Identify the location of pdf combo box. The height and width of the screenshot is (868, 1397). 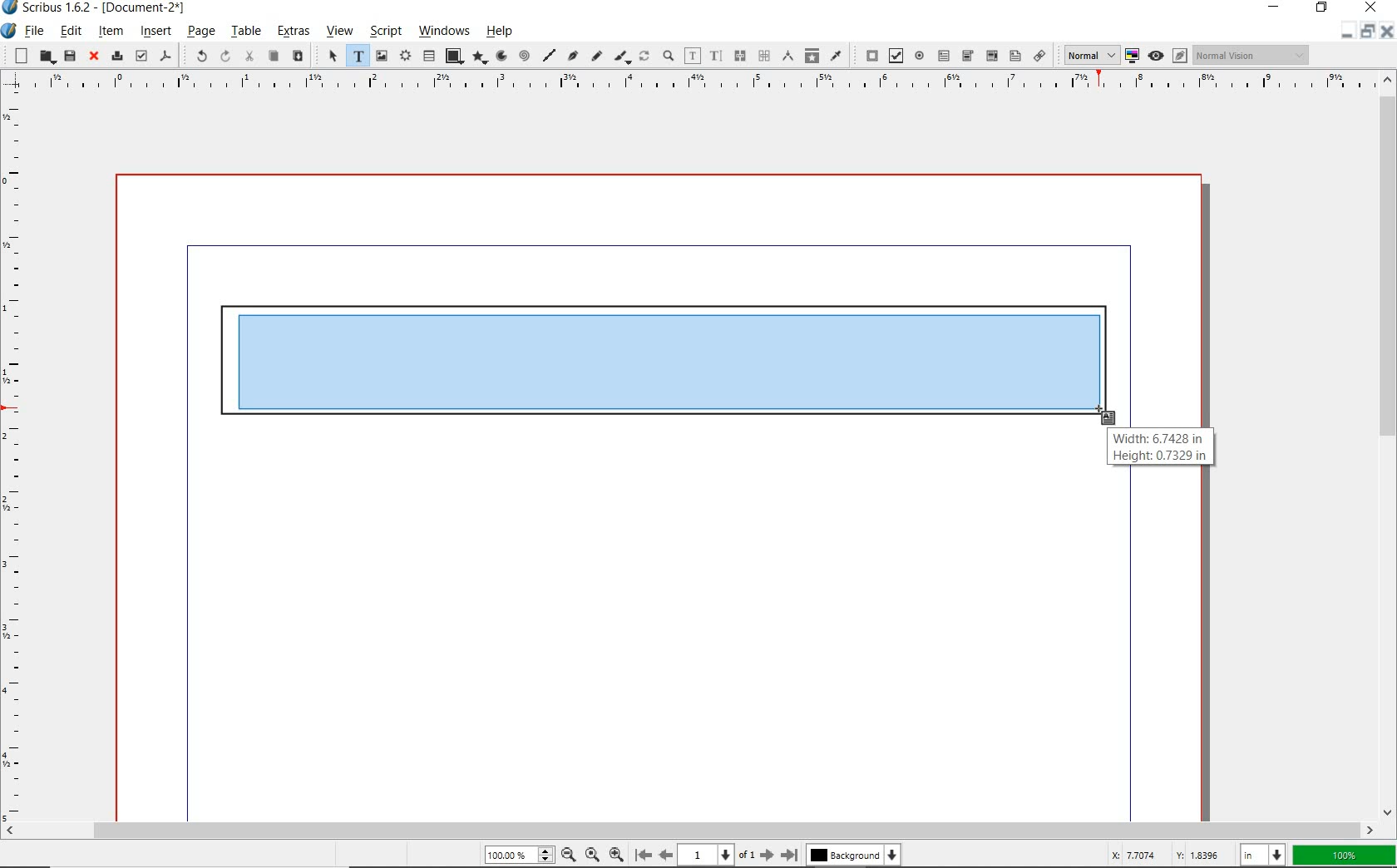
(991, 57).